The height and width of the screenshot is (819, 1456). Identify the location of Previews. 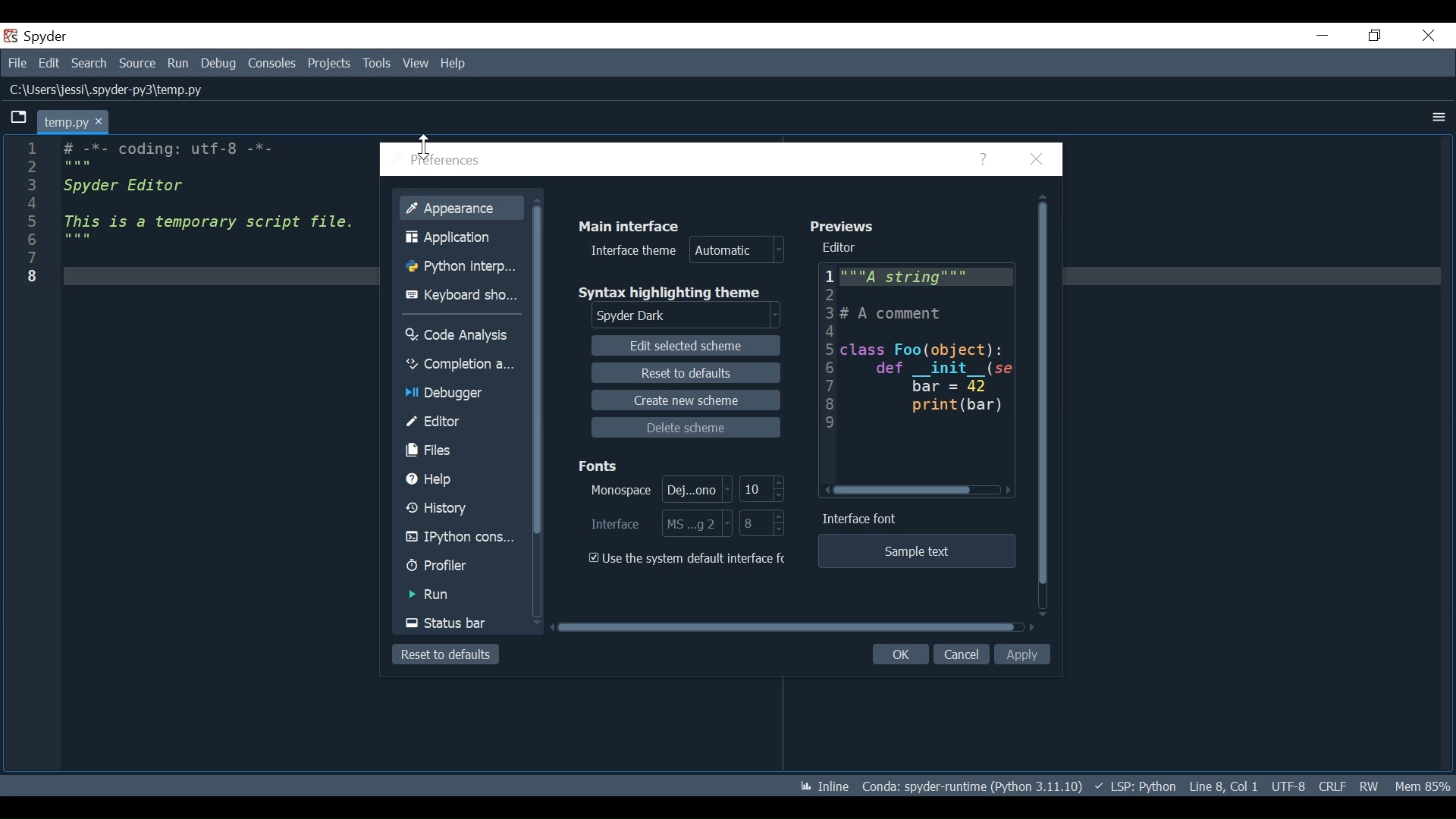
(846, 225).